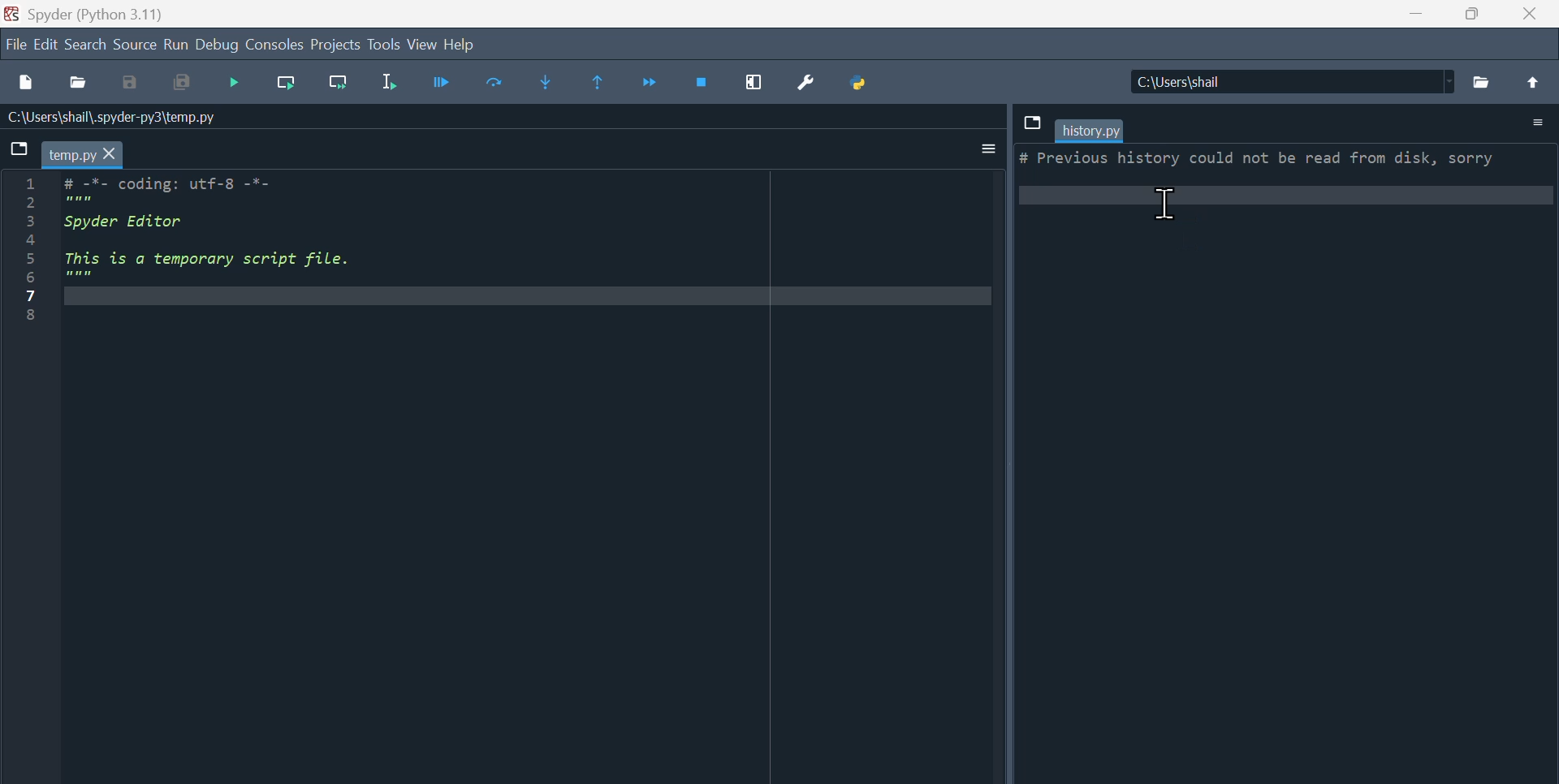 The width and height of the screenshot is (1559, 784). What do you see at coordinates (462, 43) in the screenshot?
I see `help` at bounding box center [462, 43].